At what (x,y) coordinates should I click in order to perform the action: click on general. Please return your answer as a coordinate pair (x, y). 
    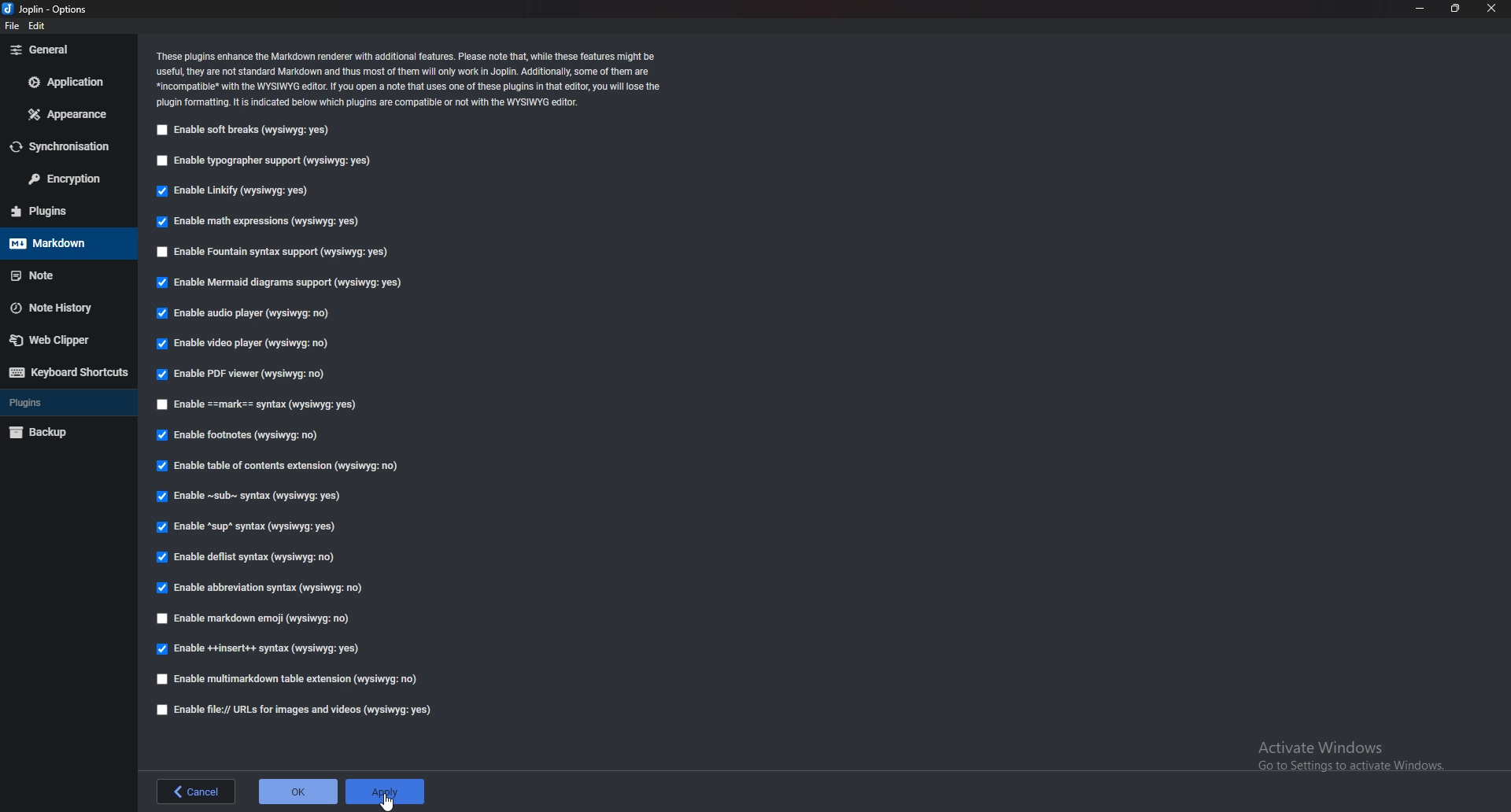
    Looking at the image, I should click on (68, 49).